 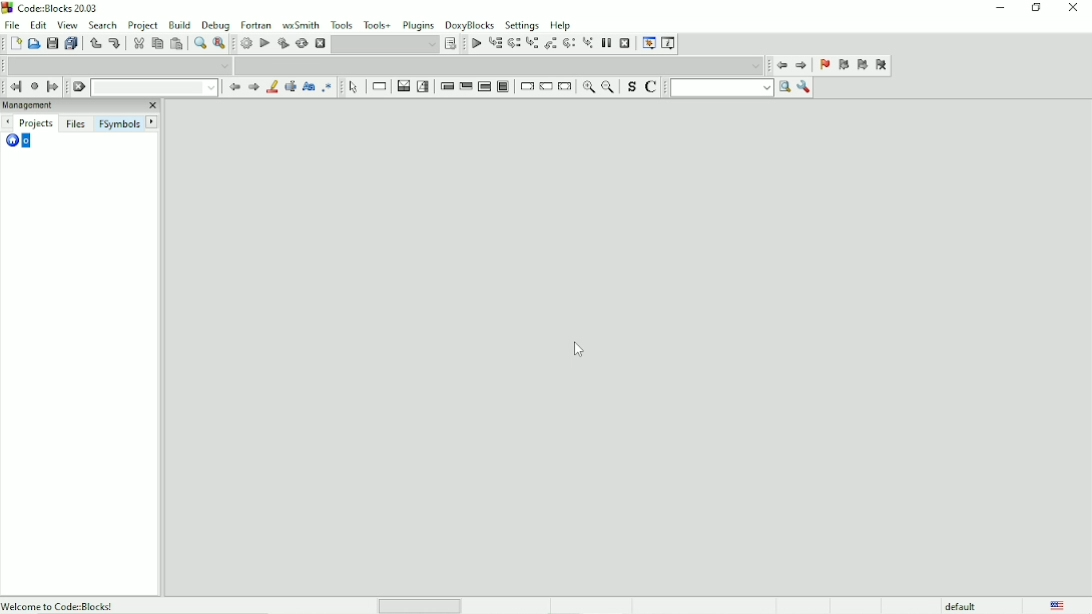 What do you see at coordinates (526, 87) in the screenshot?
I see `Break instruction` at bounding box center [526, 87].